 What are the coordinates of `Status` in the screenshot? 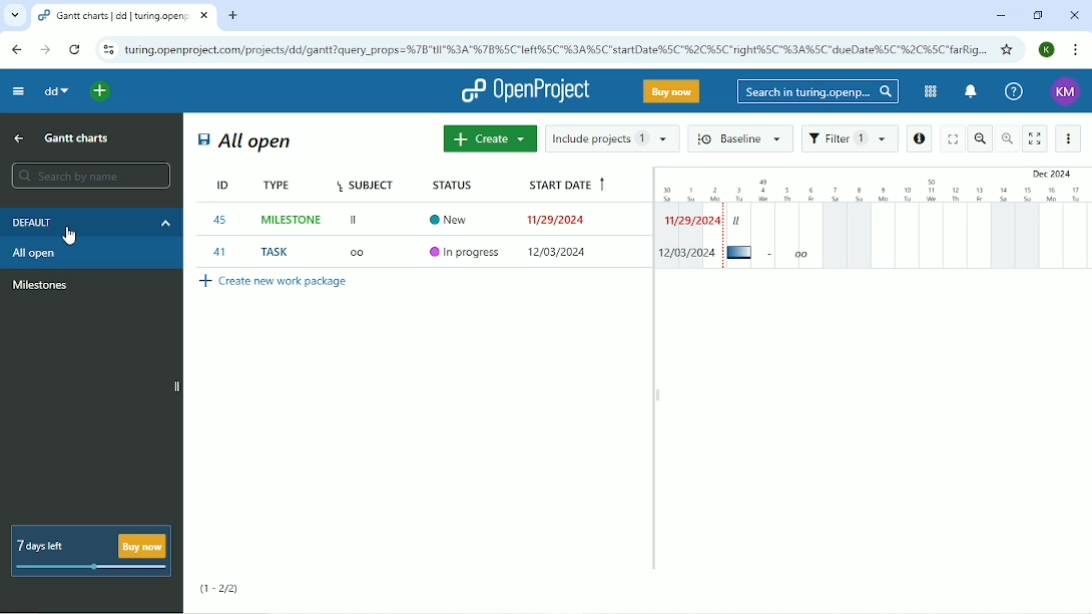 It's located at (465, 220).